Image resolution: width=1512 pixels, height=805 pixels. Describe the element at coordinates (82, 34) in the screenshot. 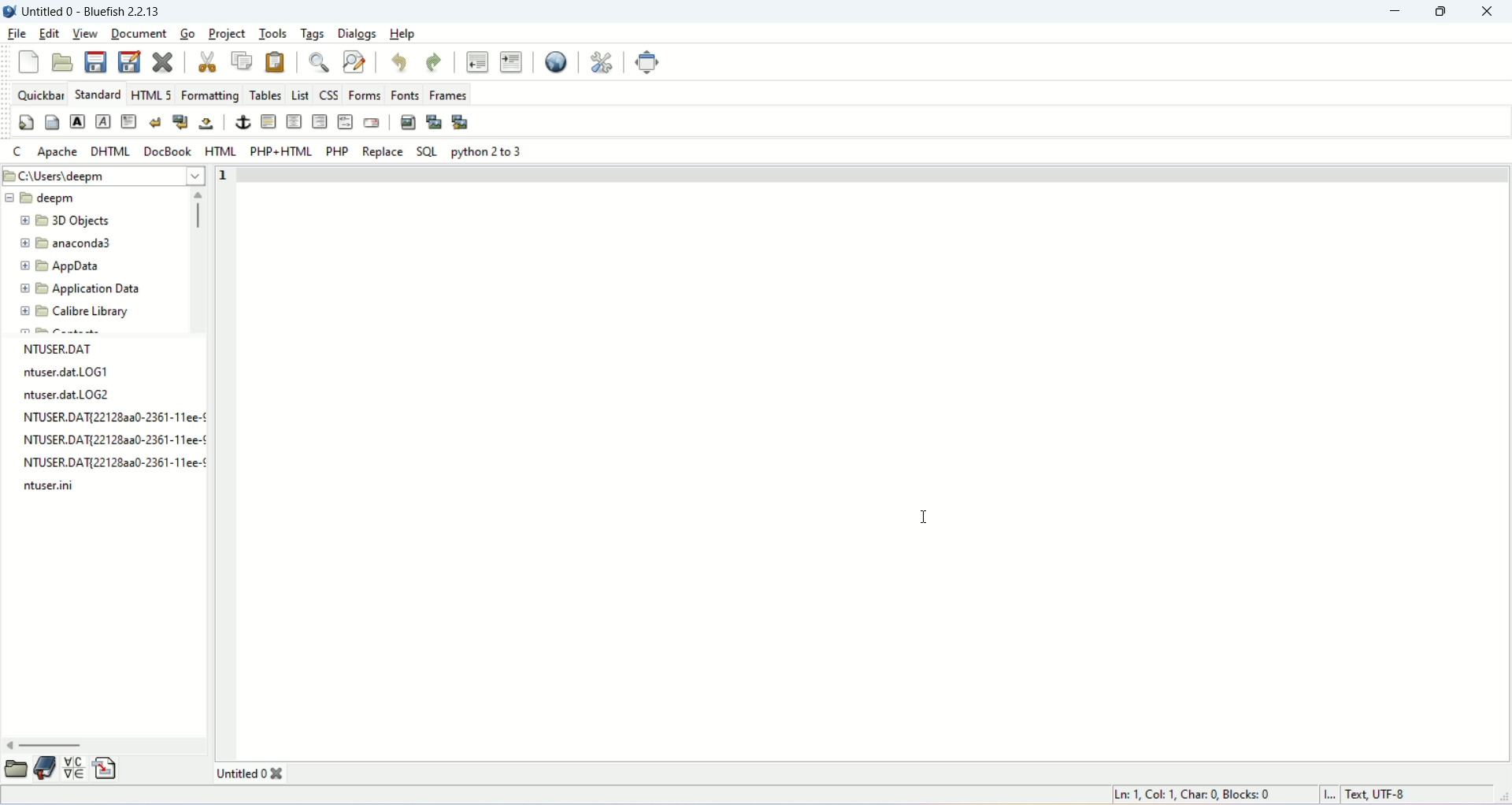

I see `view` at that location.